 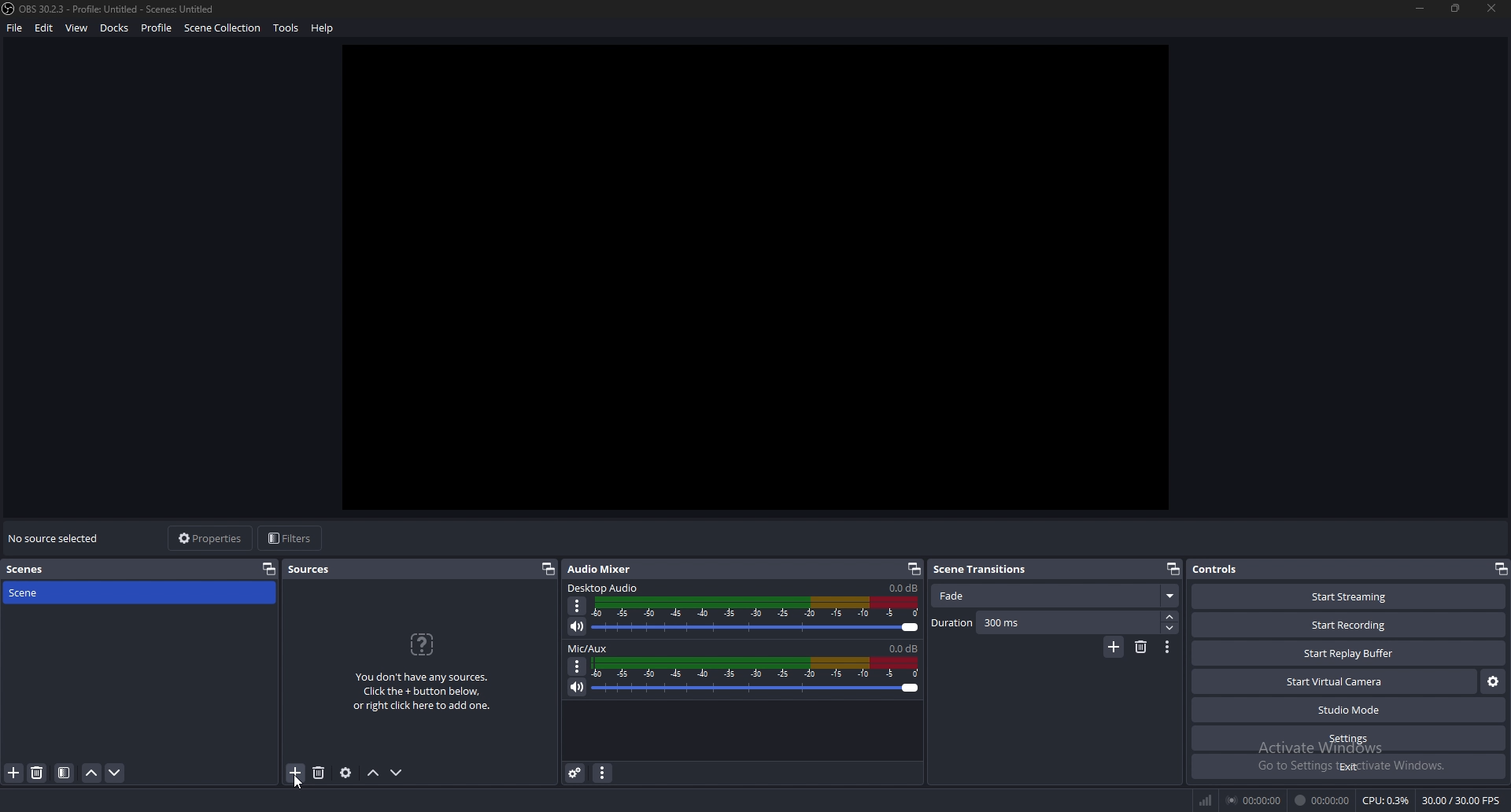 I want to click on edit, so click(x=46, y=28).